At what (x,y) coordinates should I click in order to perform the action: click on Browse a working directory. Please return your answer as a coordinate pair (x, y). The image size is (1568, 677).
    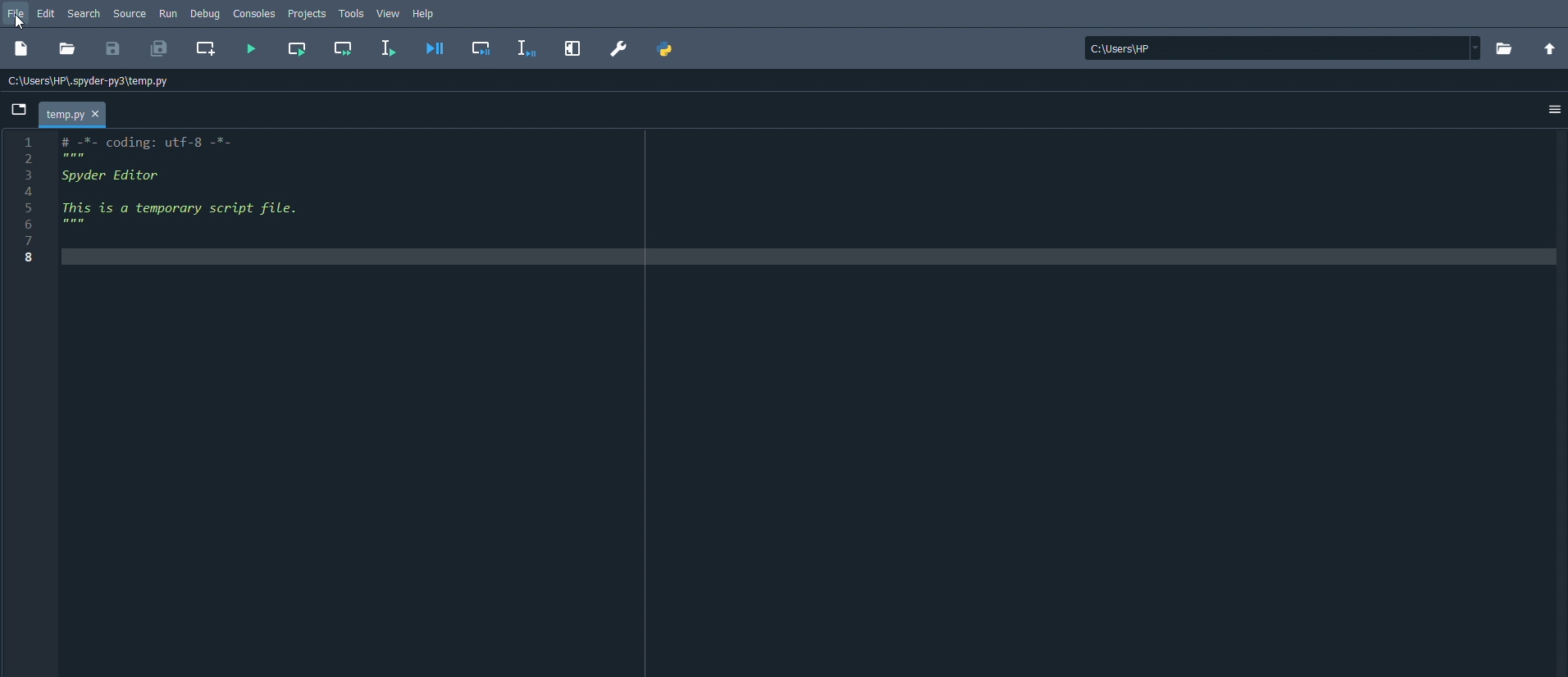
    Looking at the image, I should click on (1503, 48).